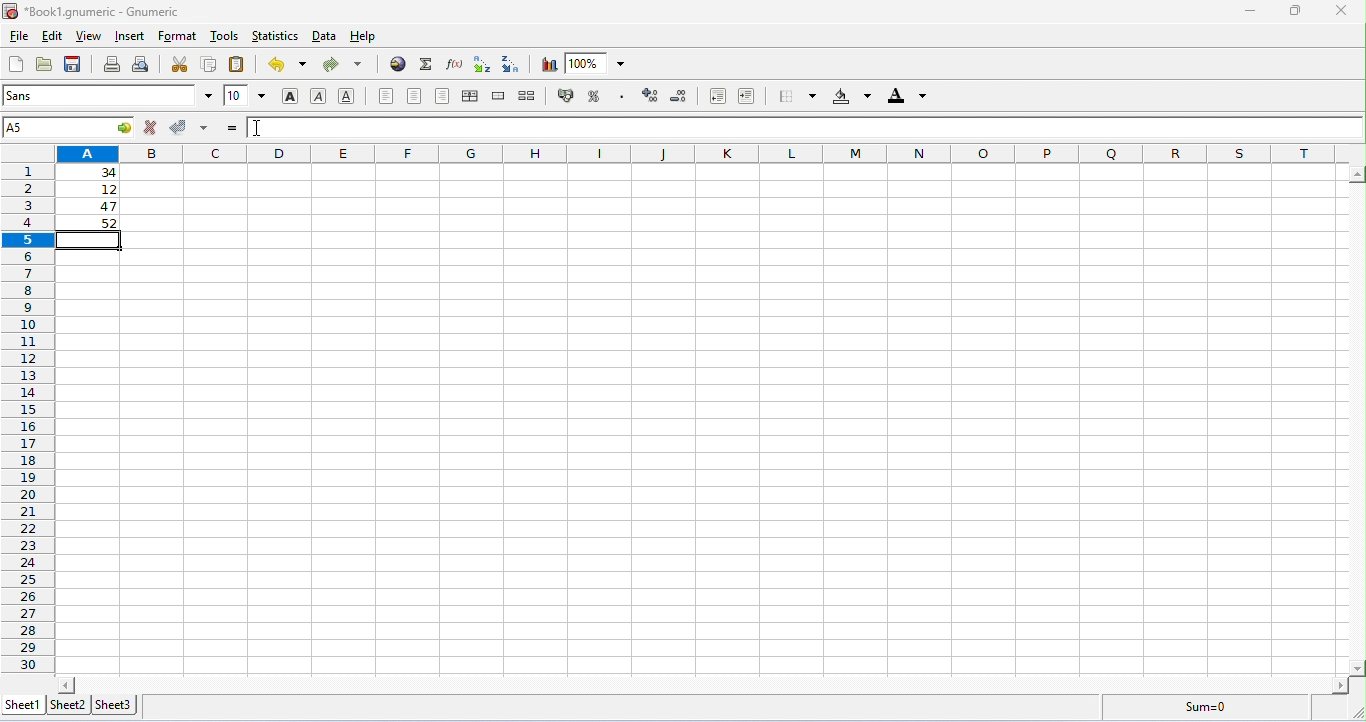  Describe the element at coordinates (246, 95) in the screenshot. I see `font size` at that location.